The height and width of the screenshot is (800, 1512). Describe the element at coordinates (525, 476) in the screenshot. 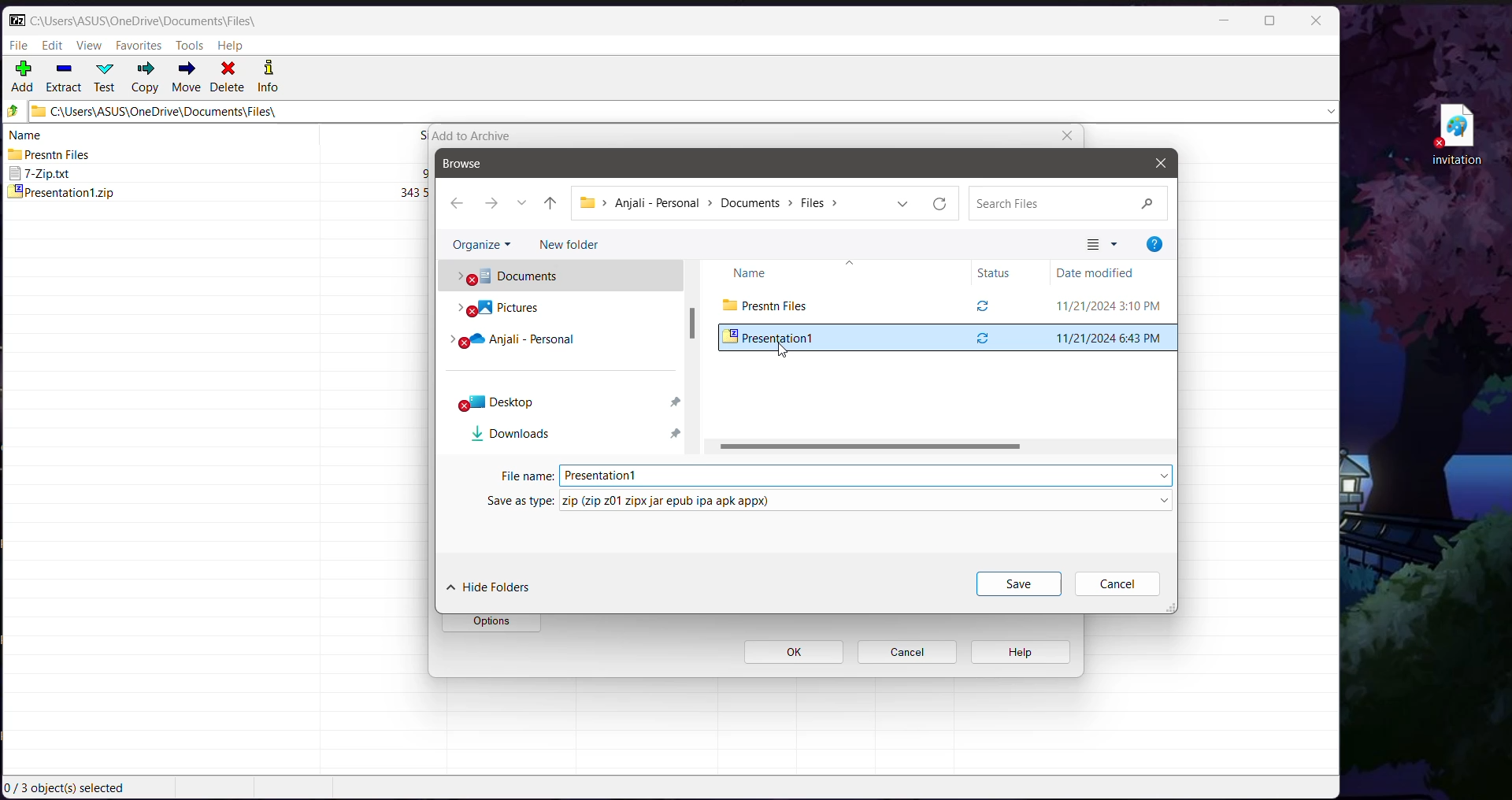

I see `File Name` at that location.